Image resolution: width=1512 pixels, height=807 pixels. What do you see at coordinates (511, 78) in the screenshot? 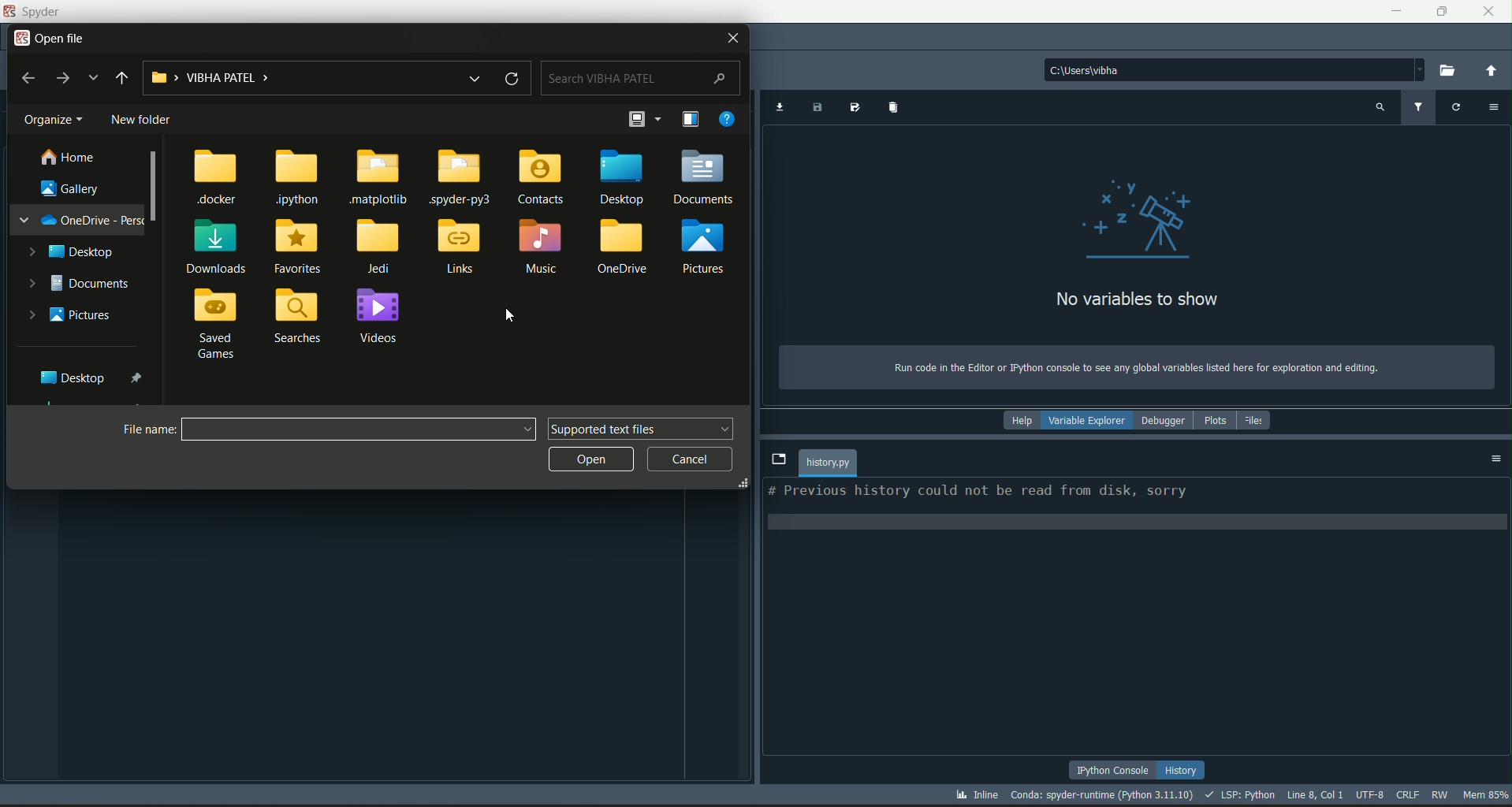
I see `refresh` at bounding box center [511, 78].